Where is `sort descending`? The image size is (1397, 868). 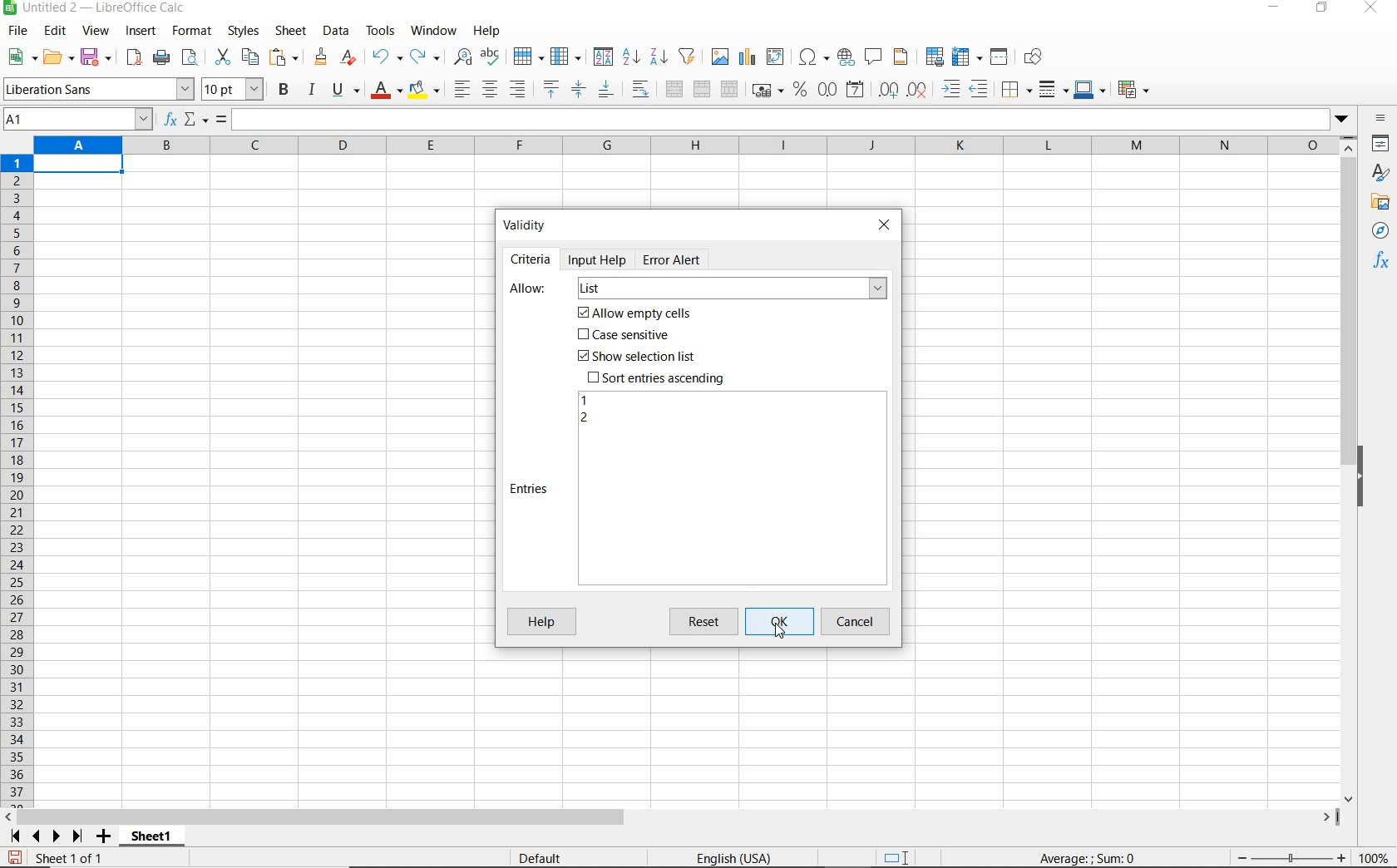 sort descending is located at coordinates (659, 56).